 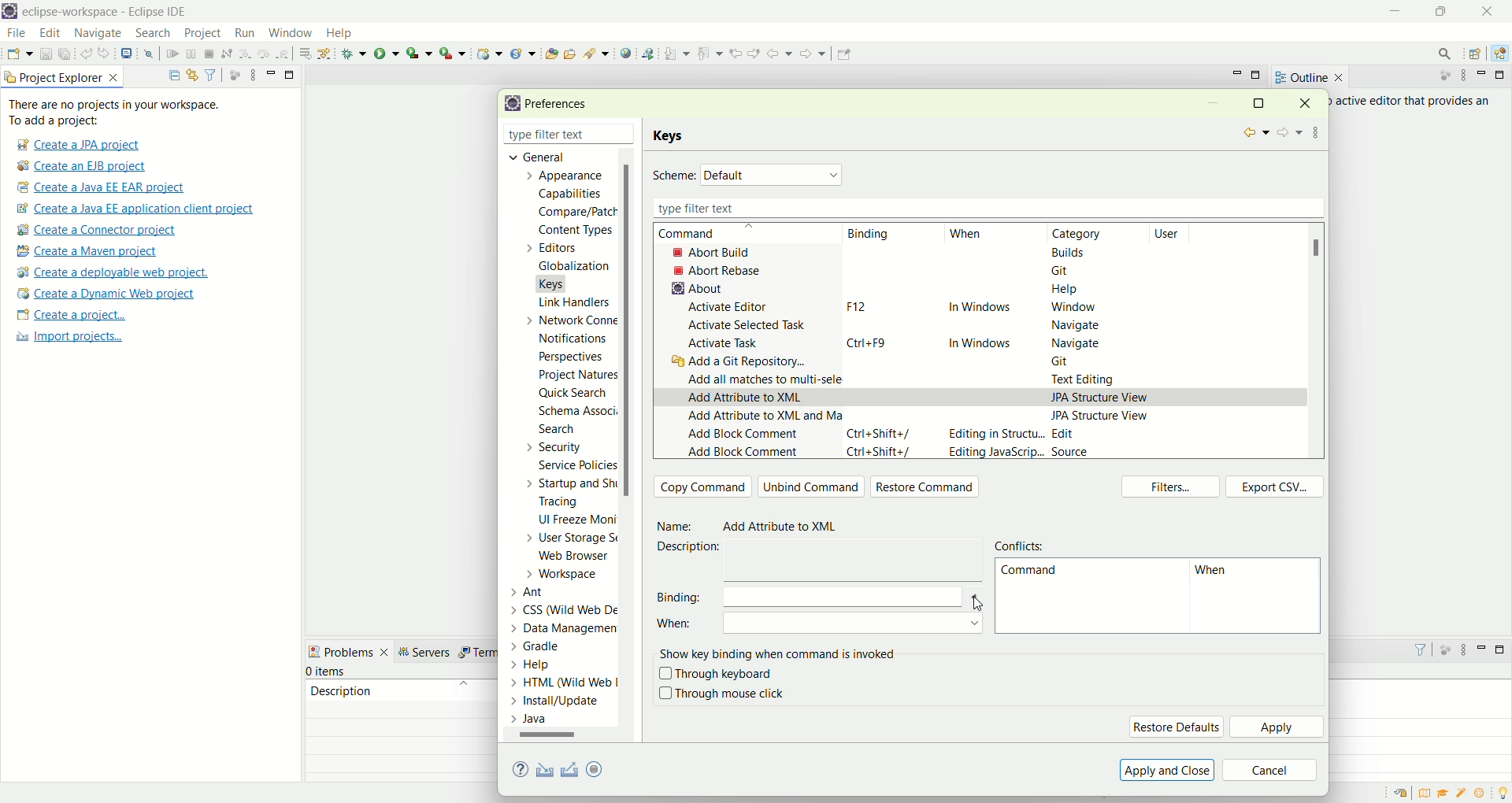 What do you see at coordinates (787, 527) in the screenshot?
I see `Add Attribute to XML` at bounding box center [787, 527].